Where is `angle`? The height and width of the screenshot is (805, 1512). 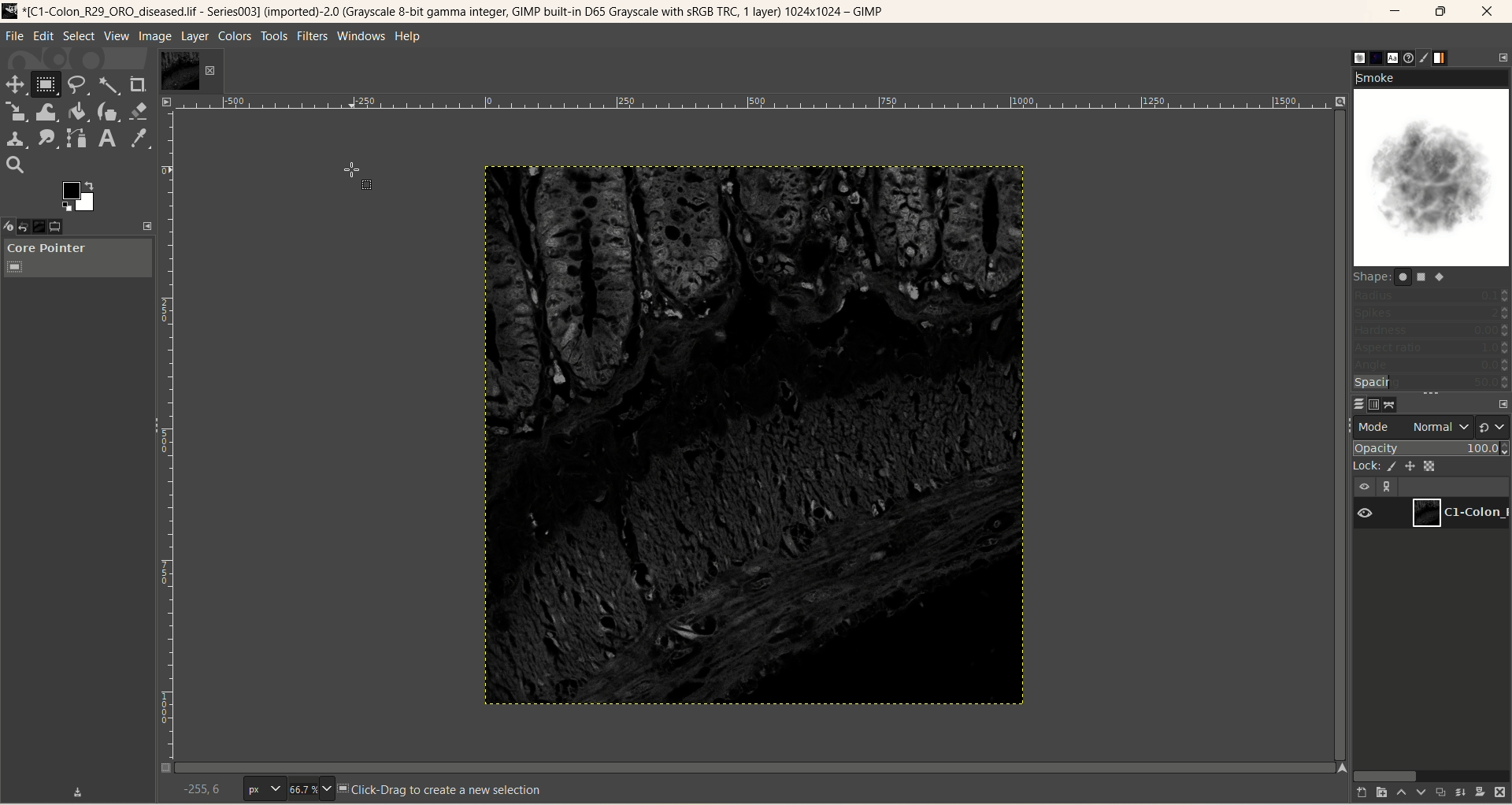 angle is located at coordinates (1432, 365).